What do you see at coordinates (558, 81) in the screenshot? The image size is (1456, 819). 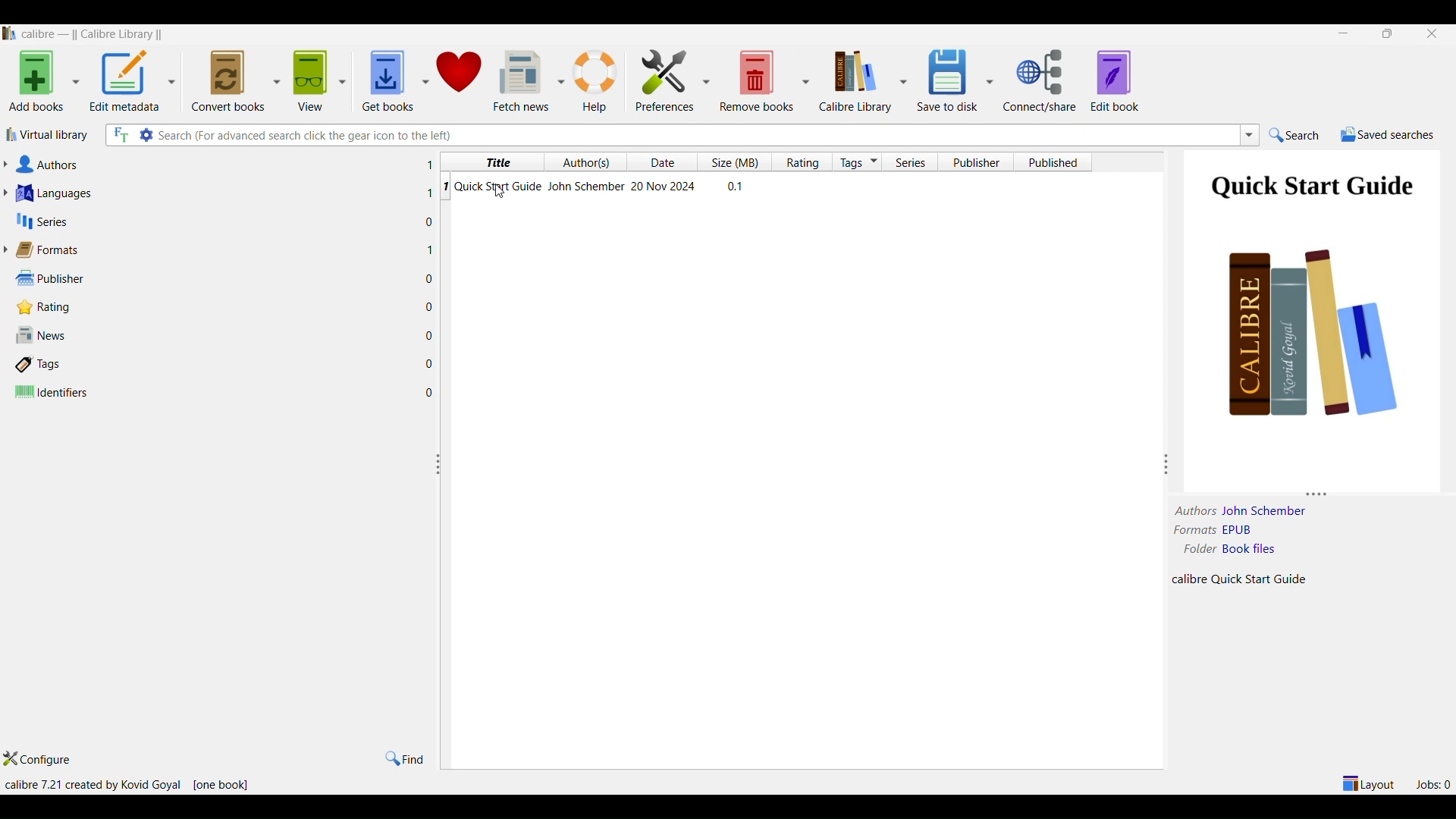 I see `fetch news options dropdown button` at bounding box center [558, 81].